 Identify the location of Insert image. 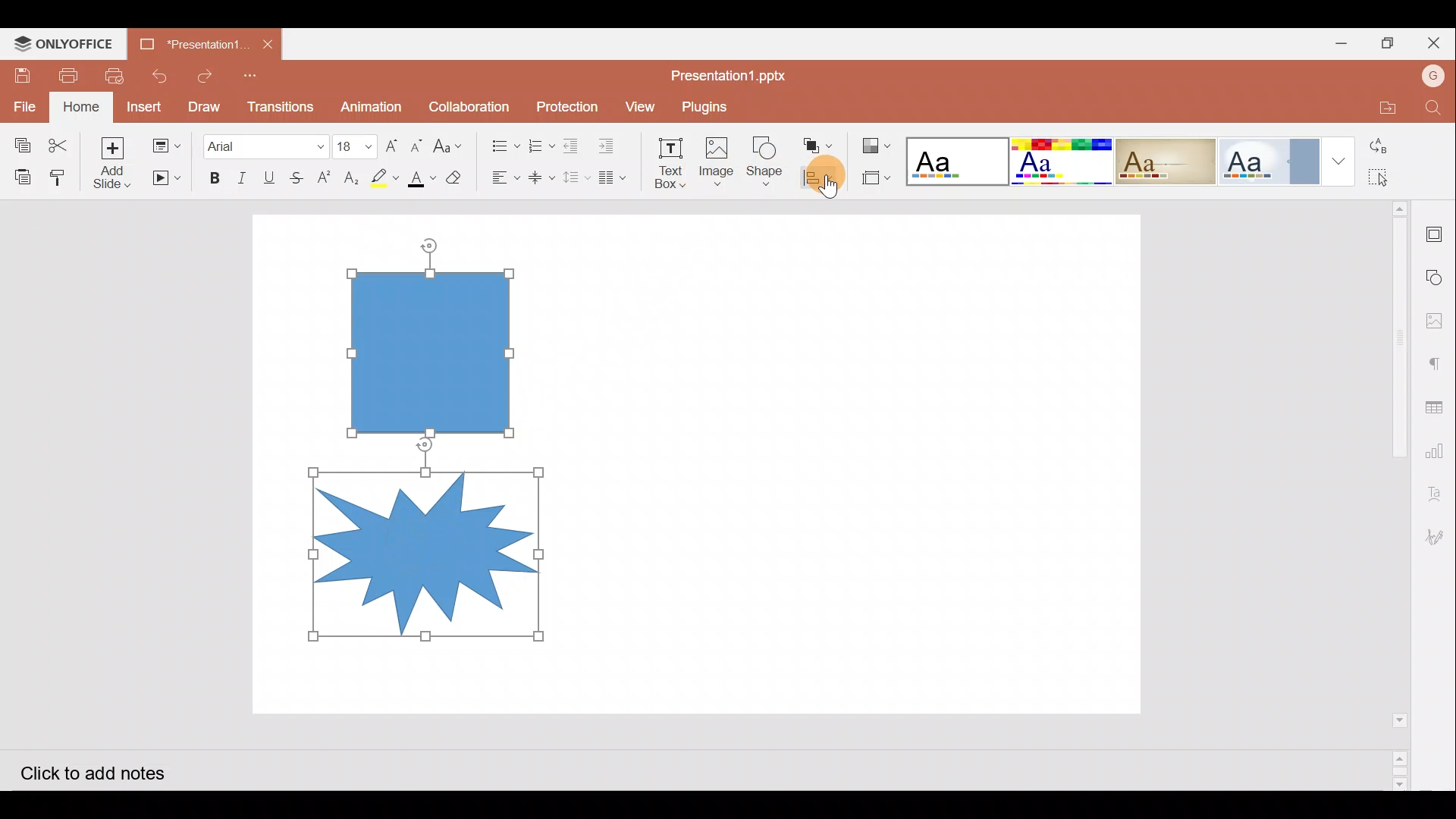
(715, 155).